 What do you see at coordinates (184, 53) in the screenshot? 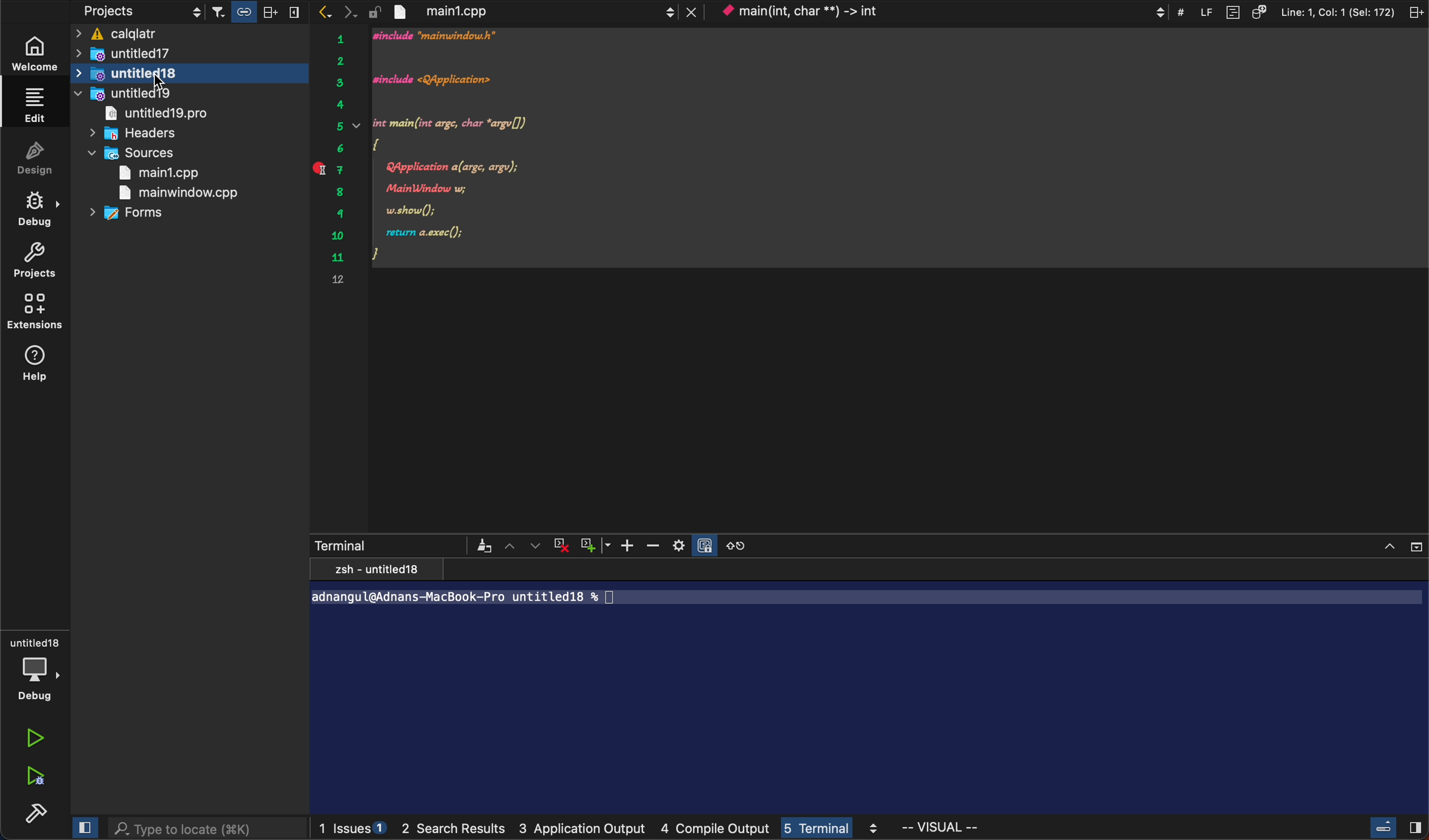
I see `untitled` at bounding box center [184, 53].